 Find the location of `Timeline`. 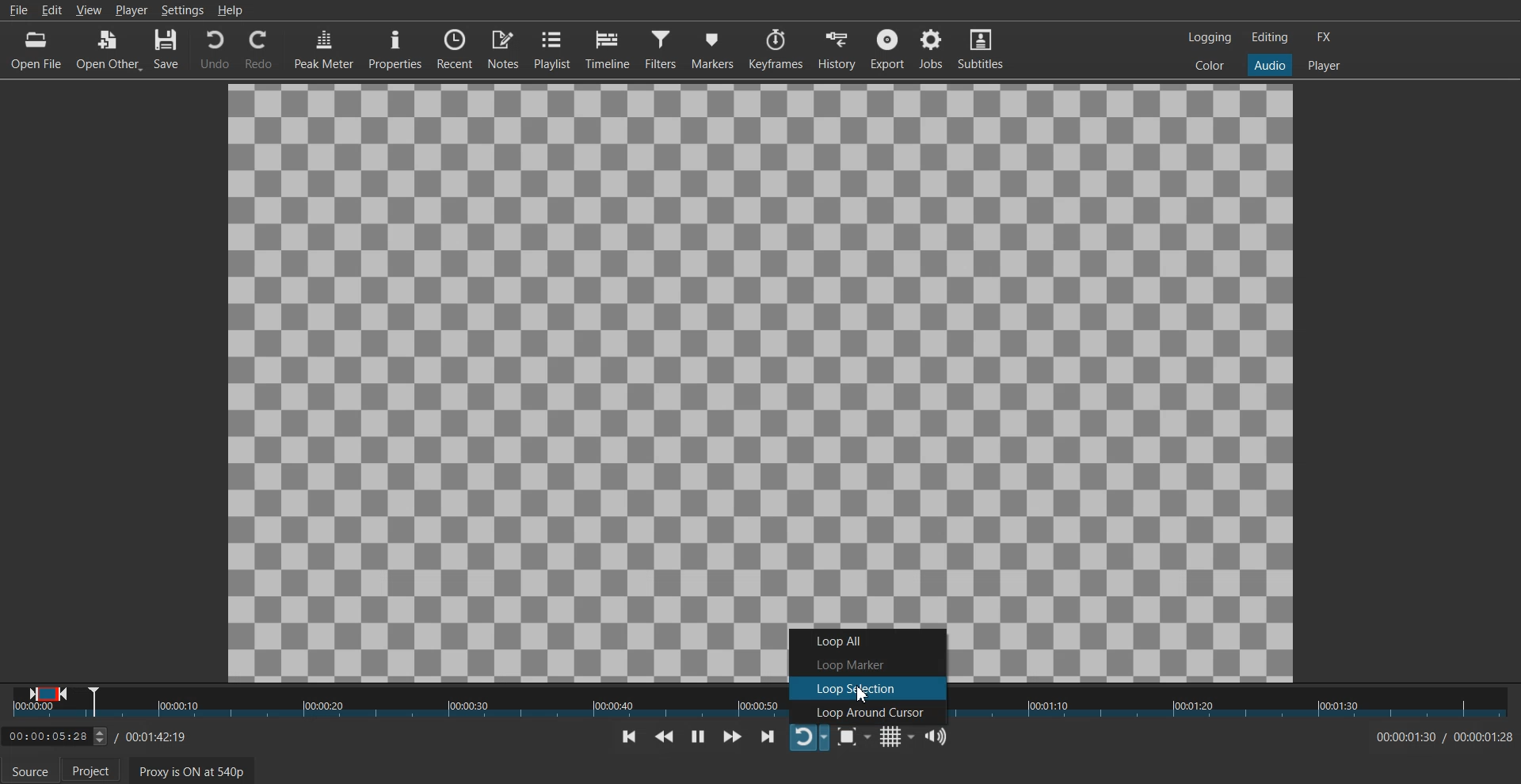

Timeline is located at coordinates (607, 49).